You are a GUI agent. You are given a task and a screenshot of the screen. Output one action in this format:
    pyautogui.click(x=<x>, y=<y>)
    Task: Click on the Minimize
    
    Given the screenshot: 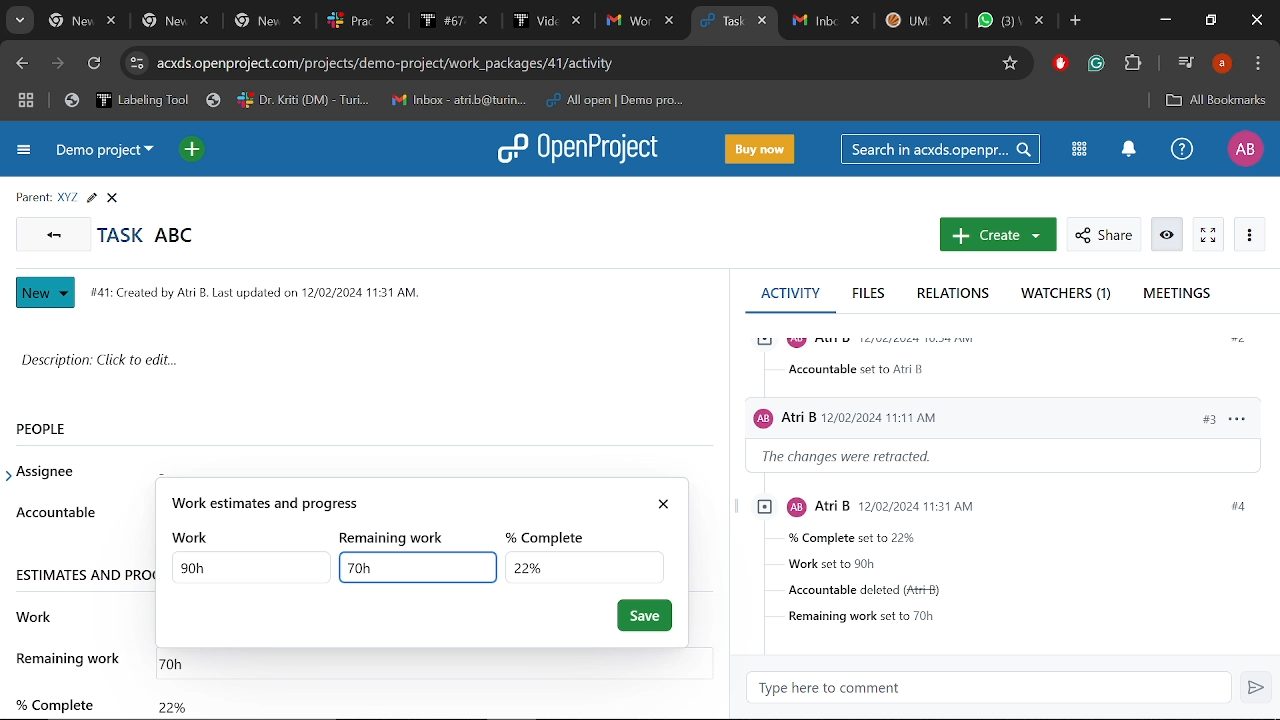 What is the action you would take?
    pyautogui.click(x=1164, y=22)
    